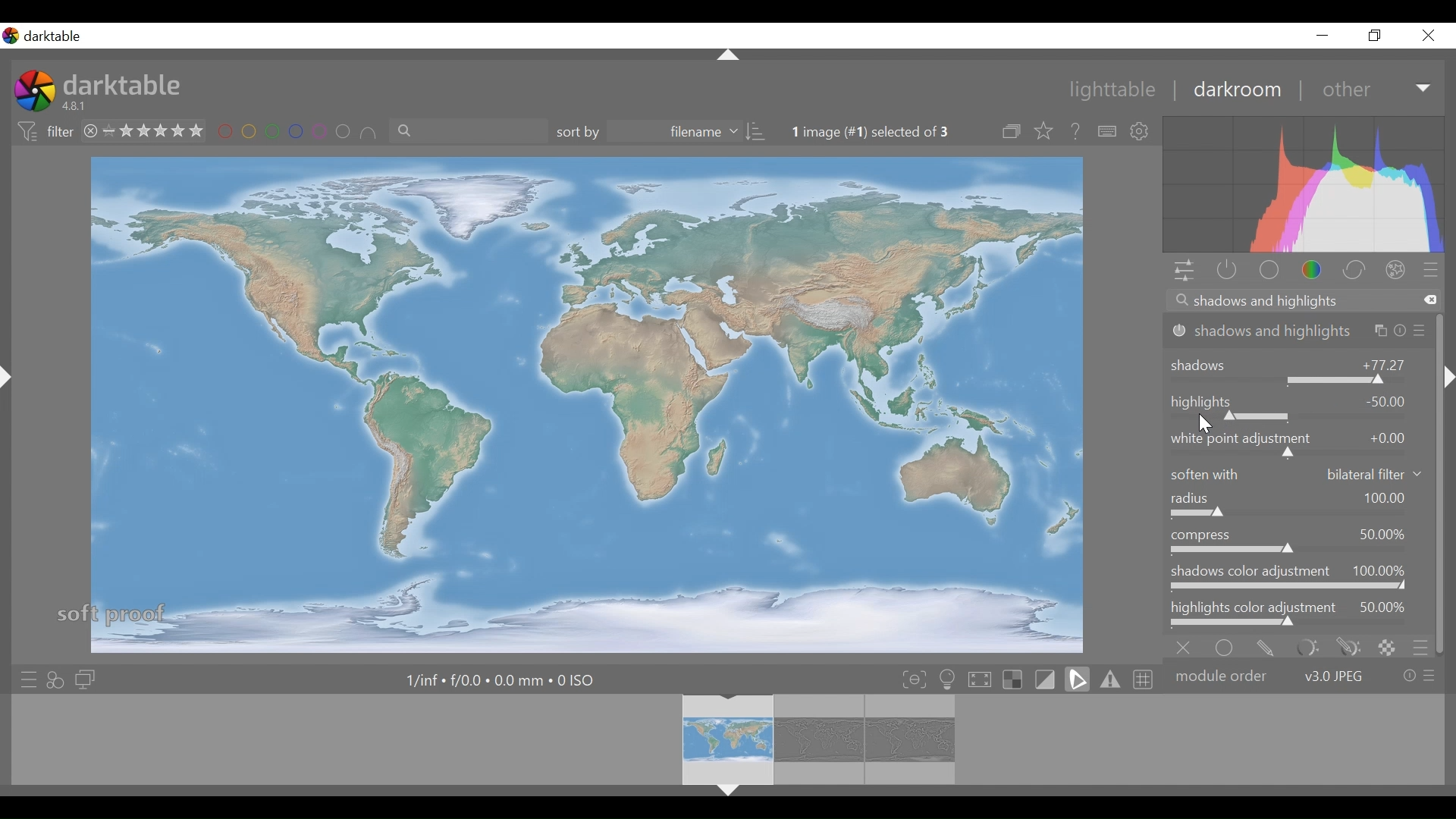 This screenshot has height=819, width=1456. What do you see at coordinates (144, 130) in the screenshot?
I see `range rating` at bounding box center [144, 130].